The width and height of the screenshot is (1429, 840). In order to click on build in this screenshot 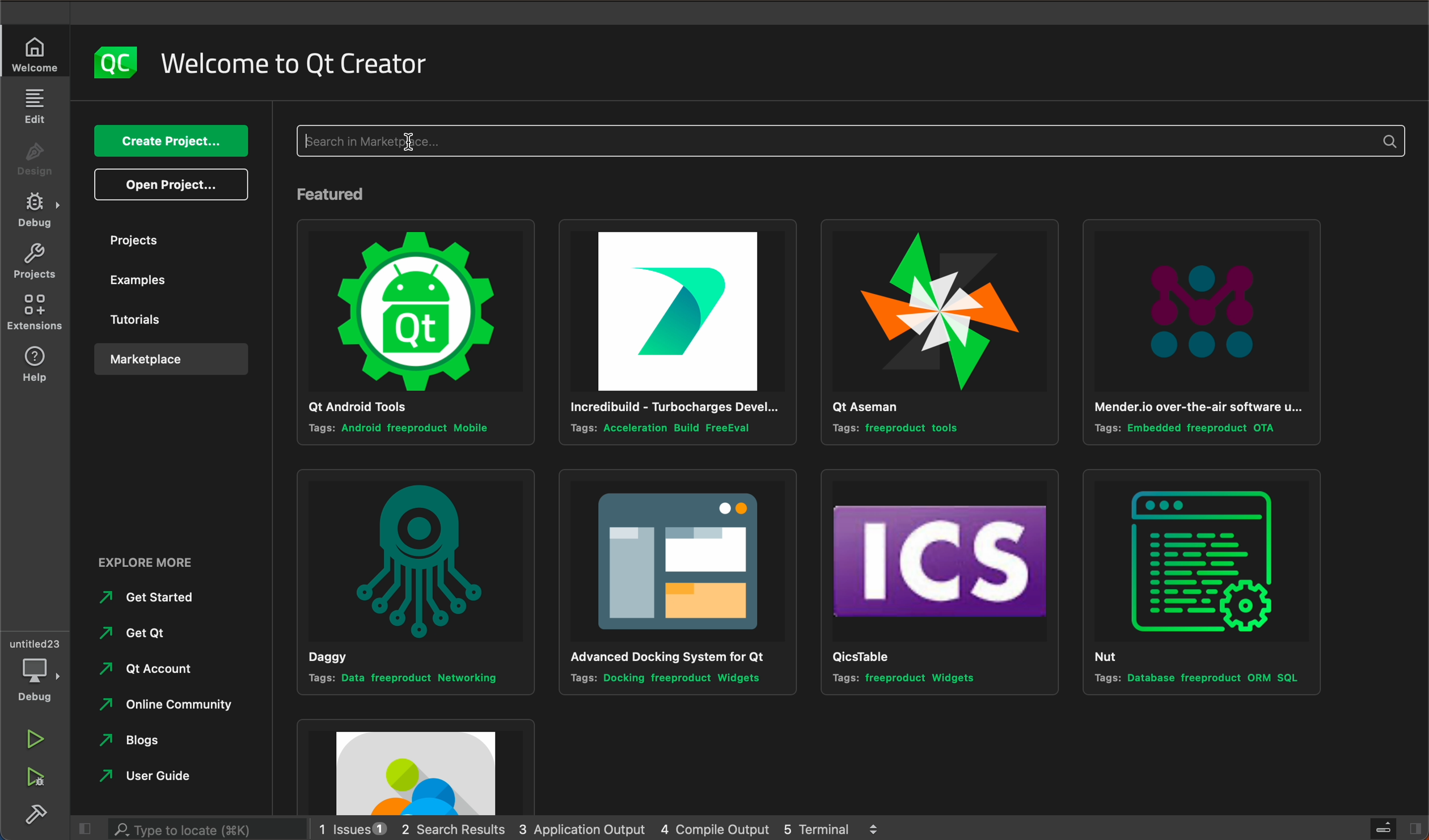, I will do `click(39, 816)`.